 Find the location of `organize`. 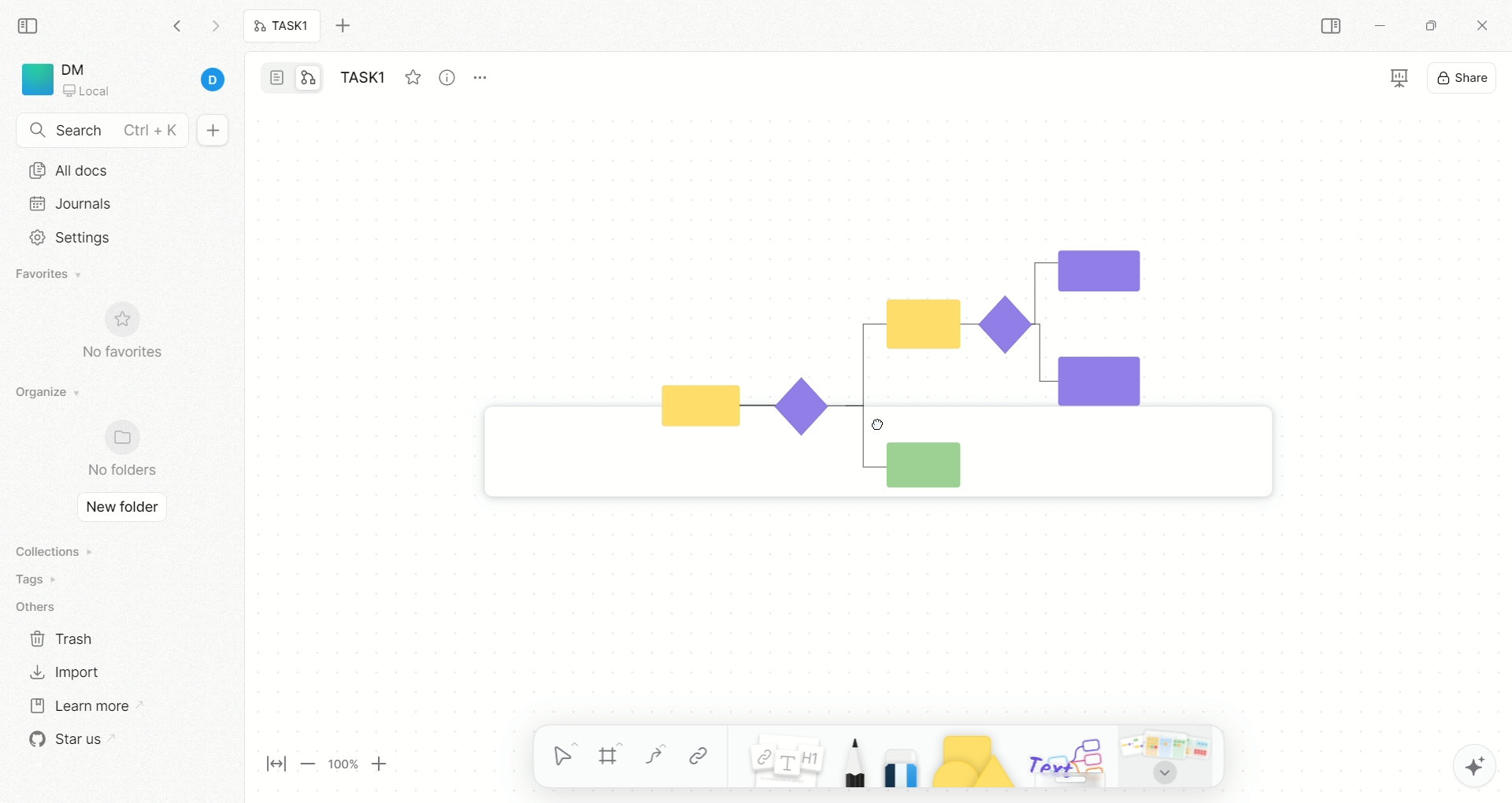

organize is located at coordinates (43, 393).